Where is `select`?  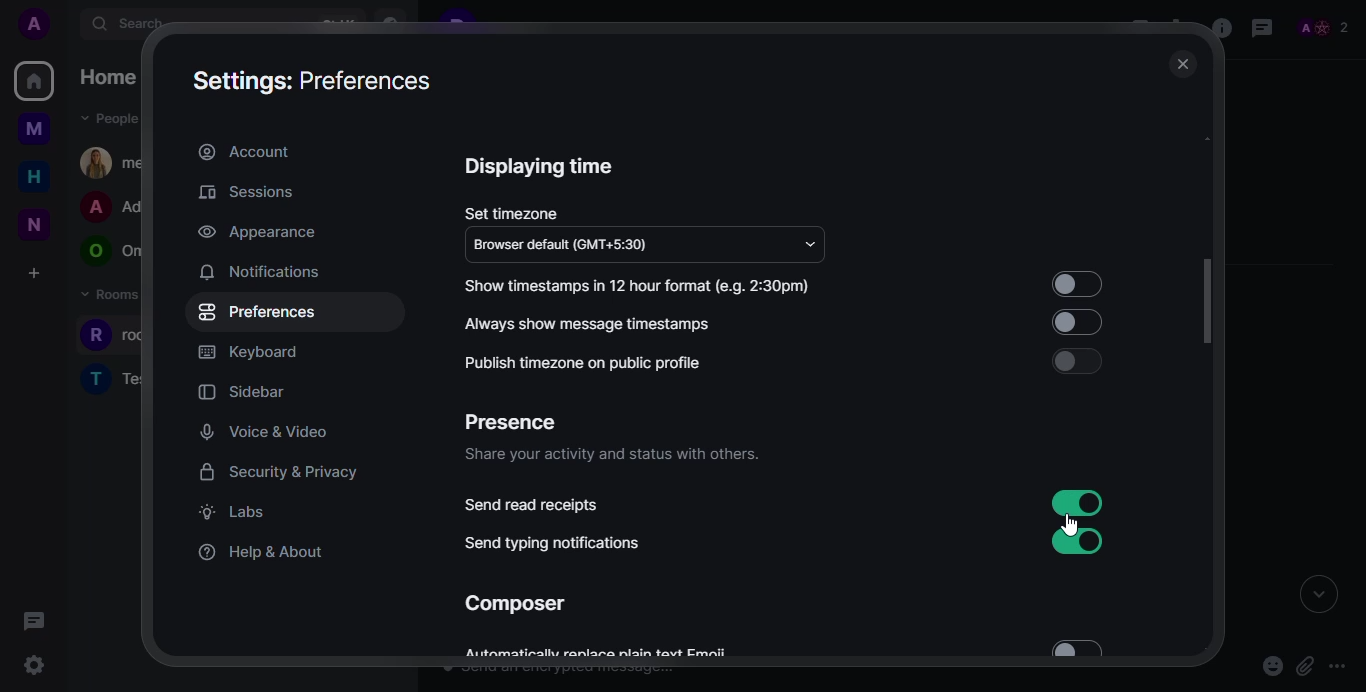 select is located at coordinates (1080, 646).